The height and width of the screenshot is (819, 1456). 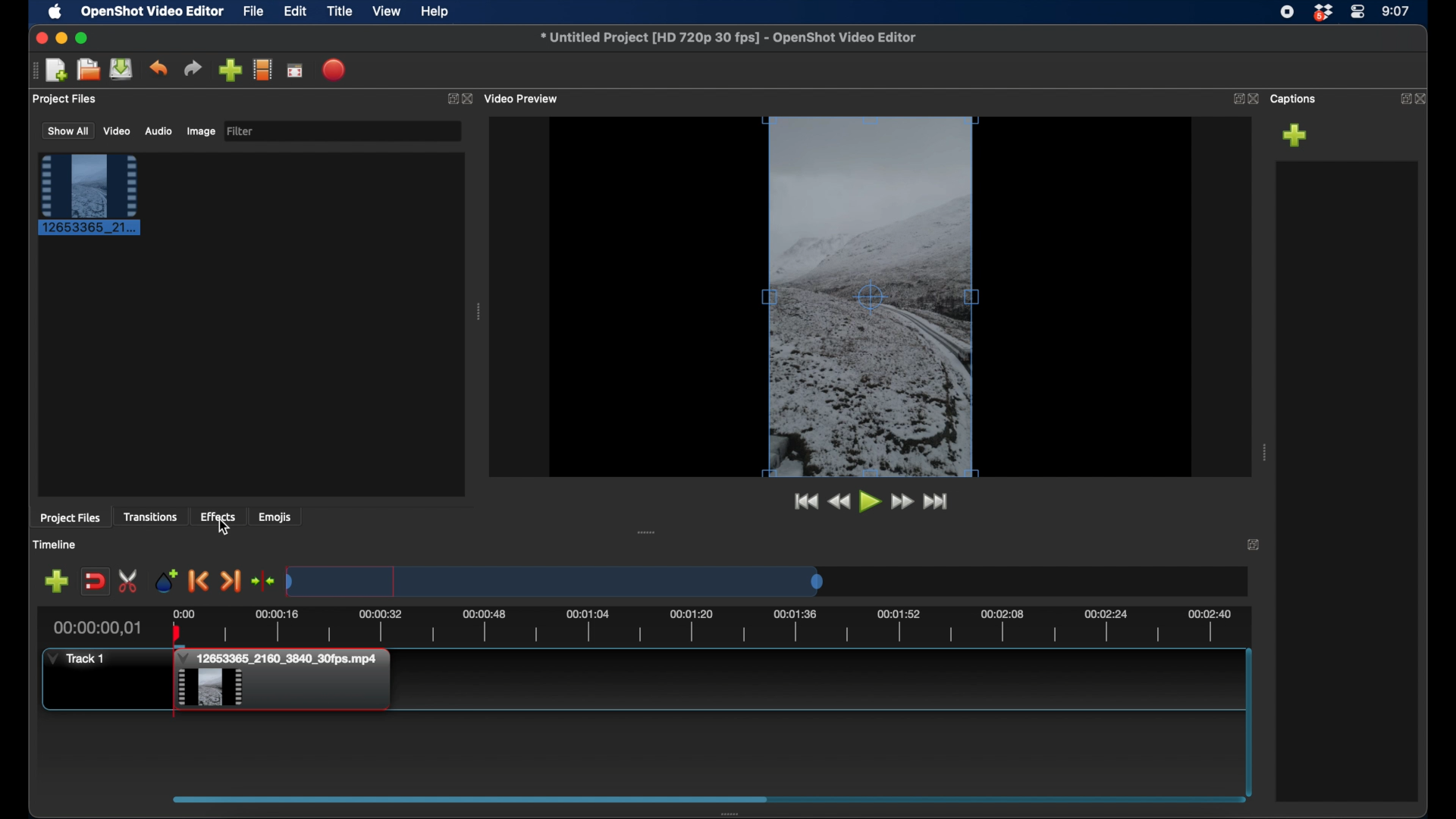 I want to click on drag handle, so click(x=30, y=71).